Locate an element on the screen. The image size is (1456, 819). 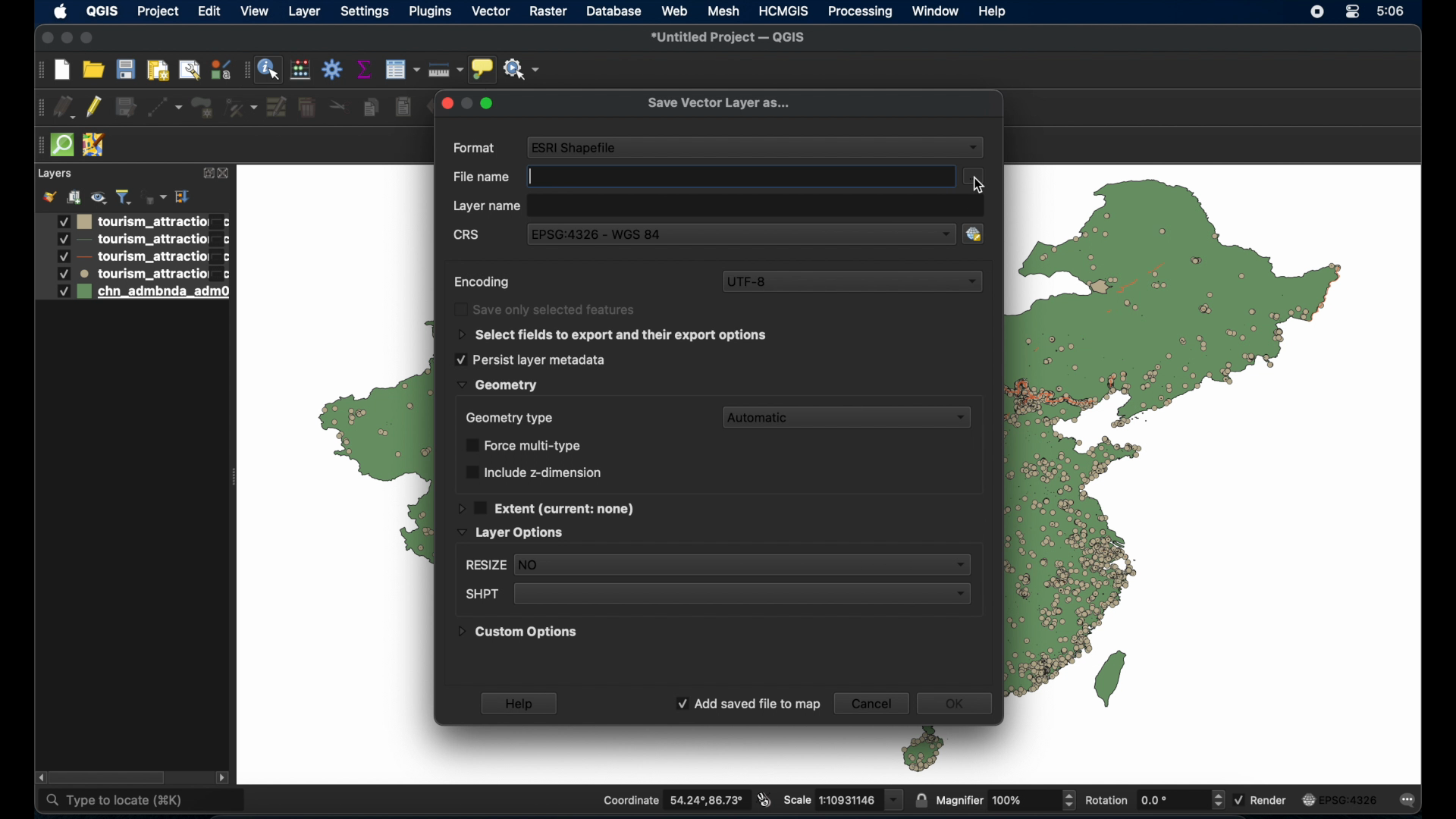
web is located at coordinates (675, 10).